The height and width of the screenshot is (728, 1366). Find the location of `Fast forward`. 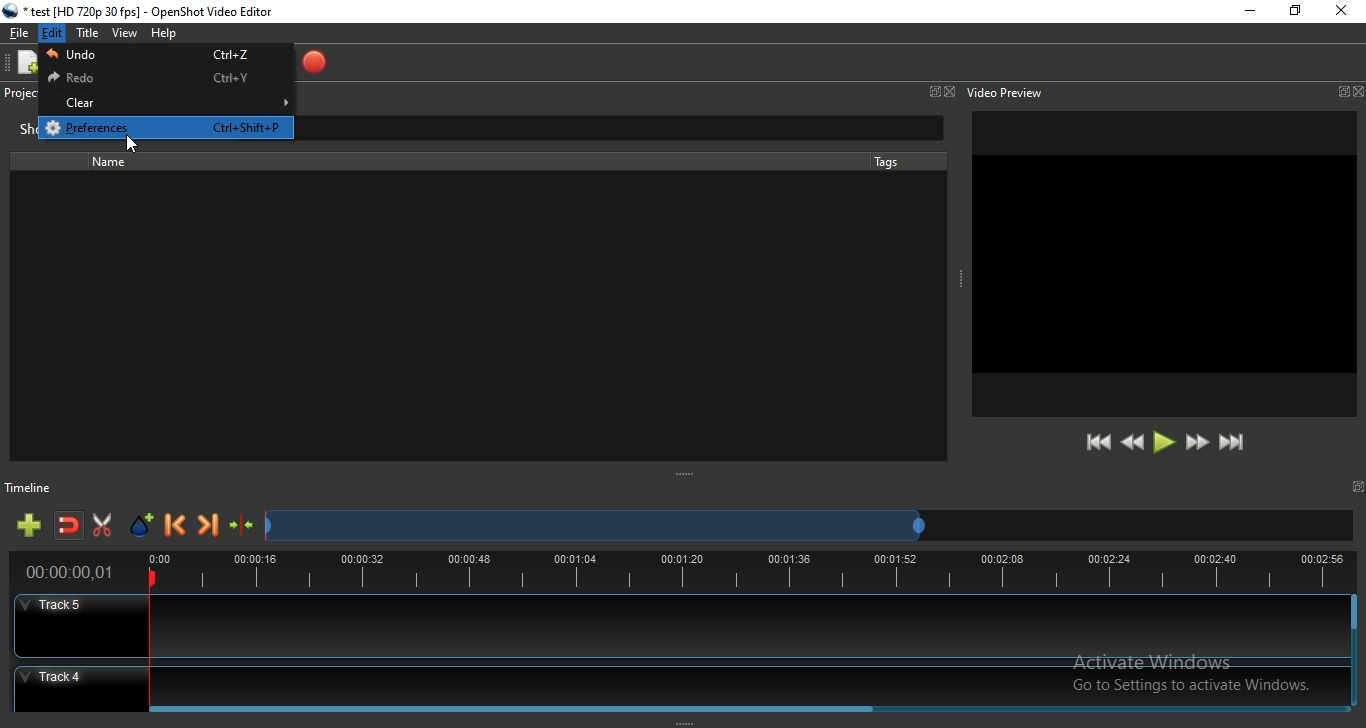

Fast forward is located at coordinates (1197, 444).